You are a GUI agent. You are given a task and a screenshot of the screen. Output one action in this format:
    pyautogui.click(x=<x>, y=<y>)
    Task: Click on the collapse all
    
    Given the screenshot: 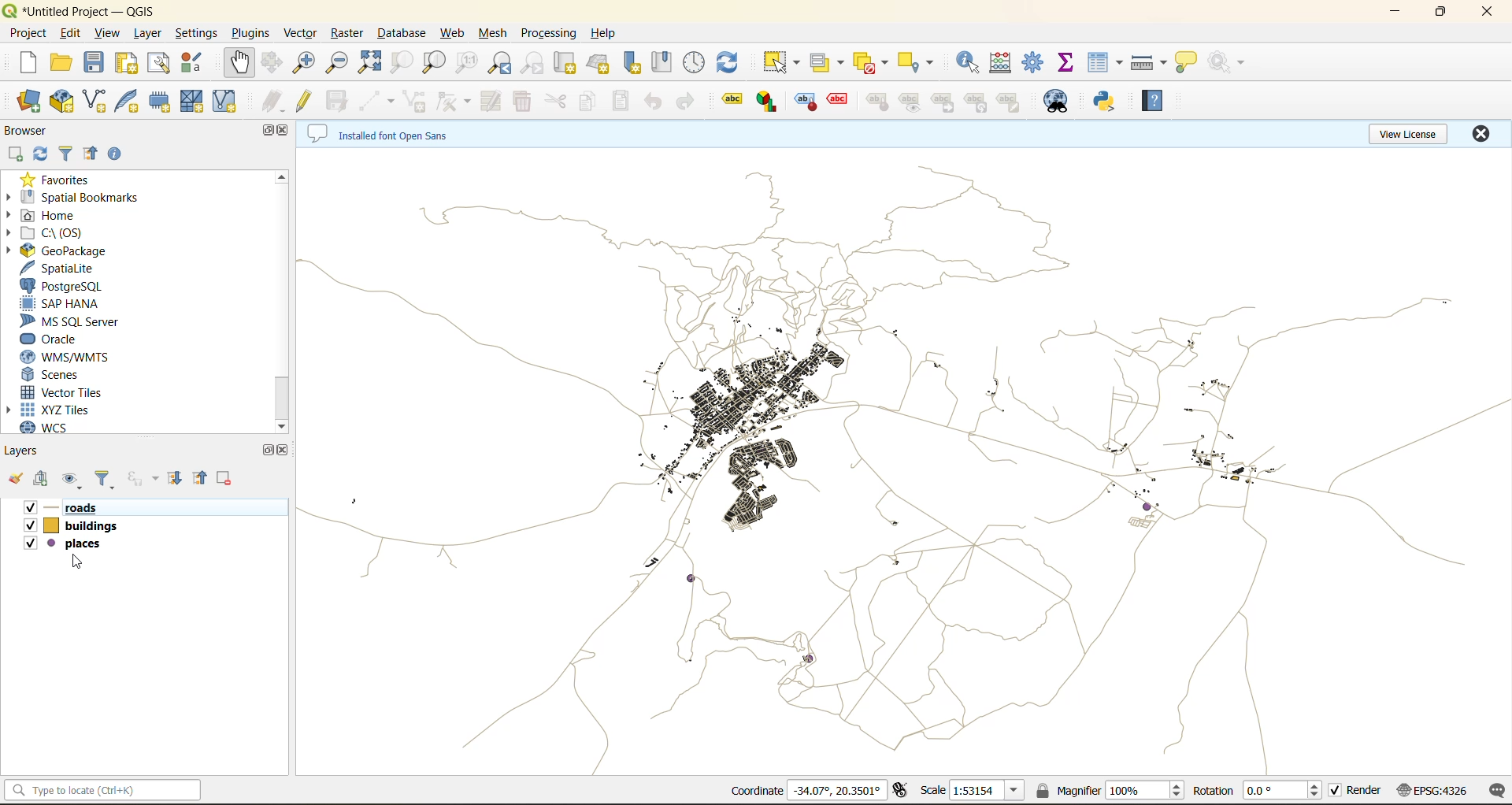 What is the action you would take?
    pyautogui.click(x=93, y=155)
    